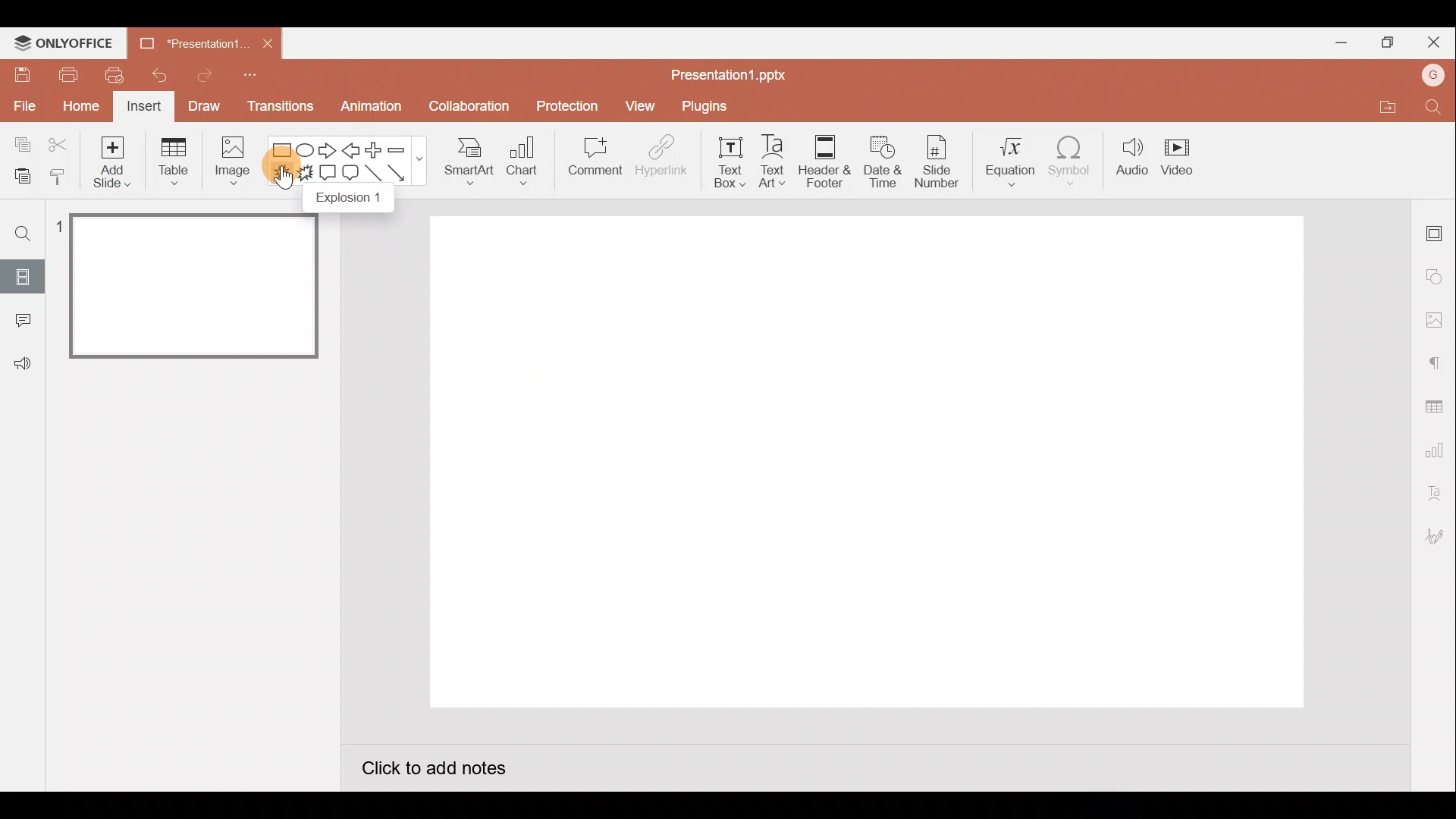 The image size is (1456, 819). What do you see at coordinates (566, 101) in the screenshot?
I see `Protection` at bounding box center [566, 101].